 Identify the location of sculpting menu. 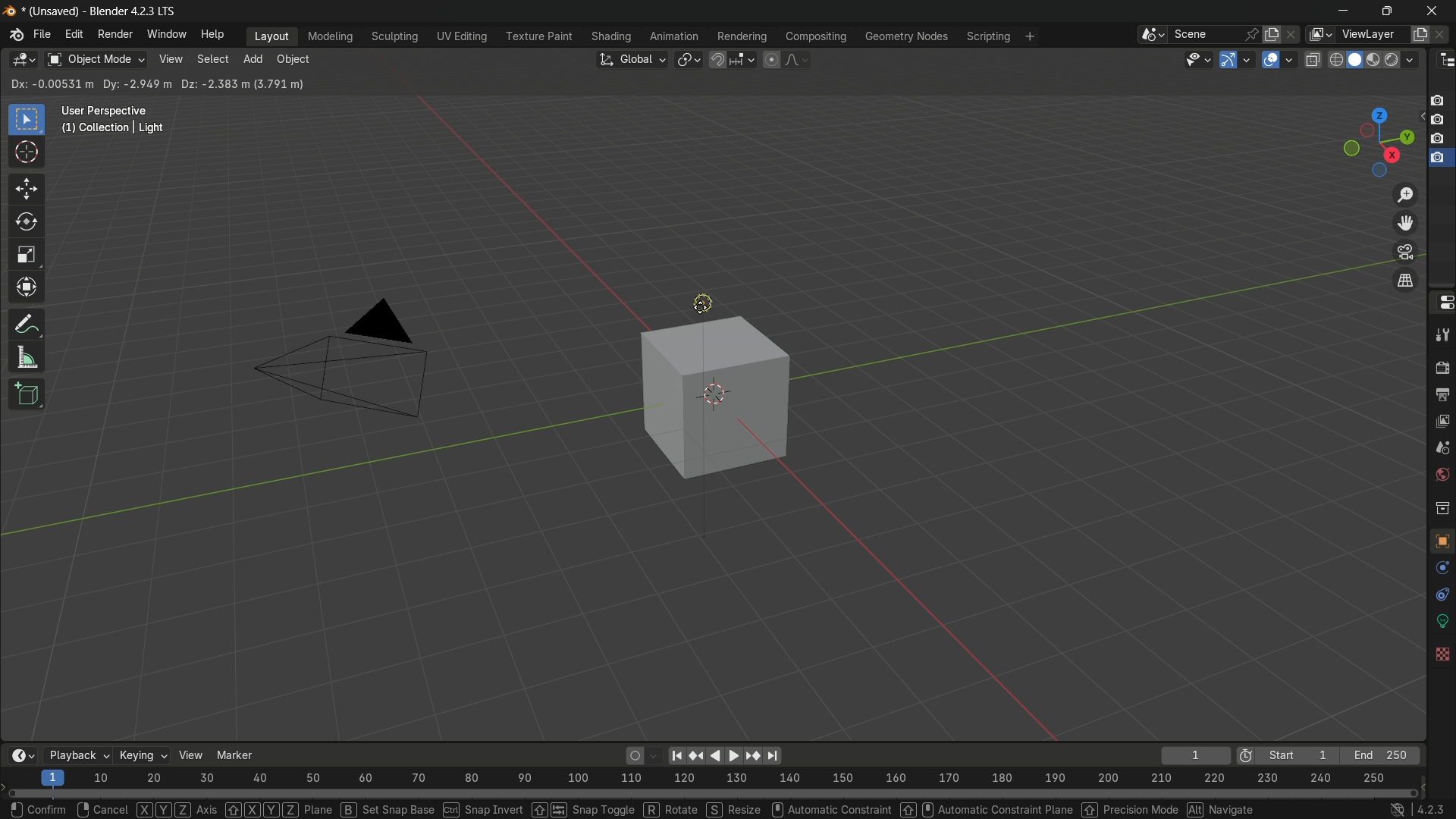
(395, 37).